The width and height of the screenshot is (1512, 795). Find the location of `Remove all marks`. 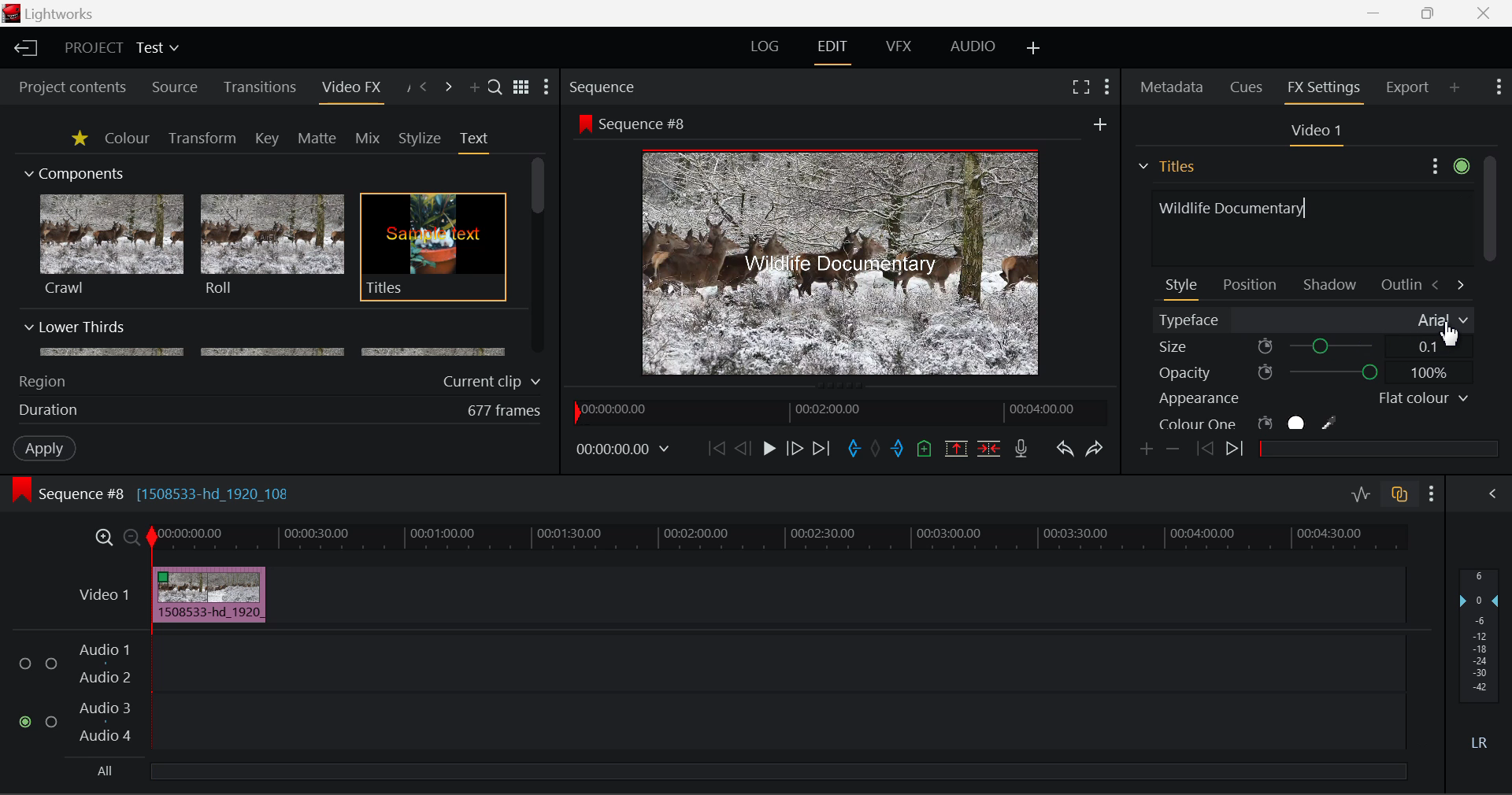

Remove all marks is located at coordinates (877, 450).